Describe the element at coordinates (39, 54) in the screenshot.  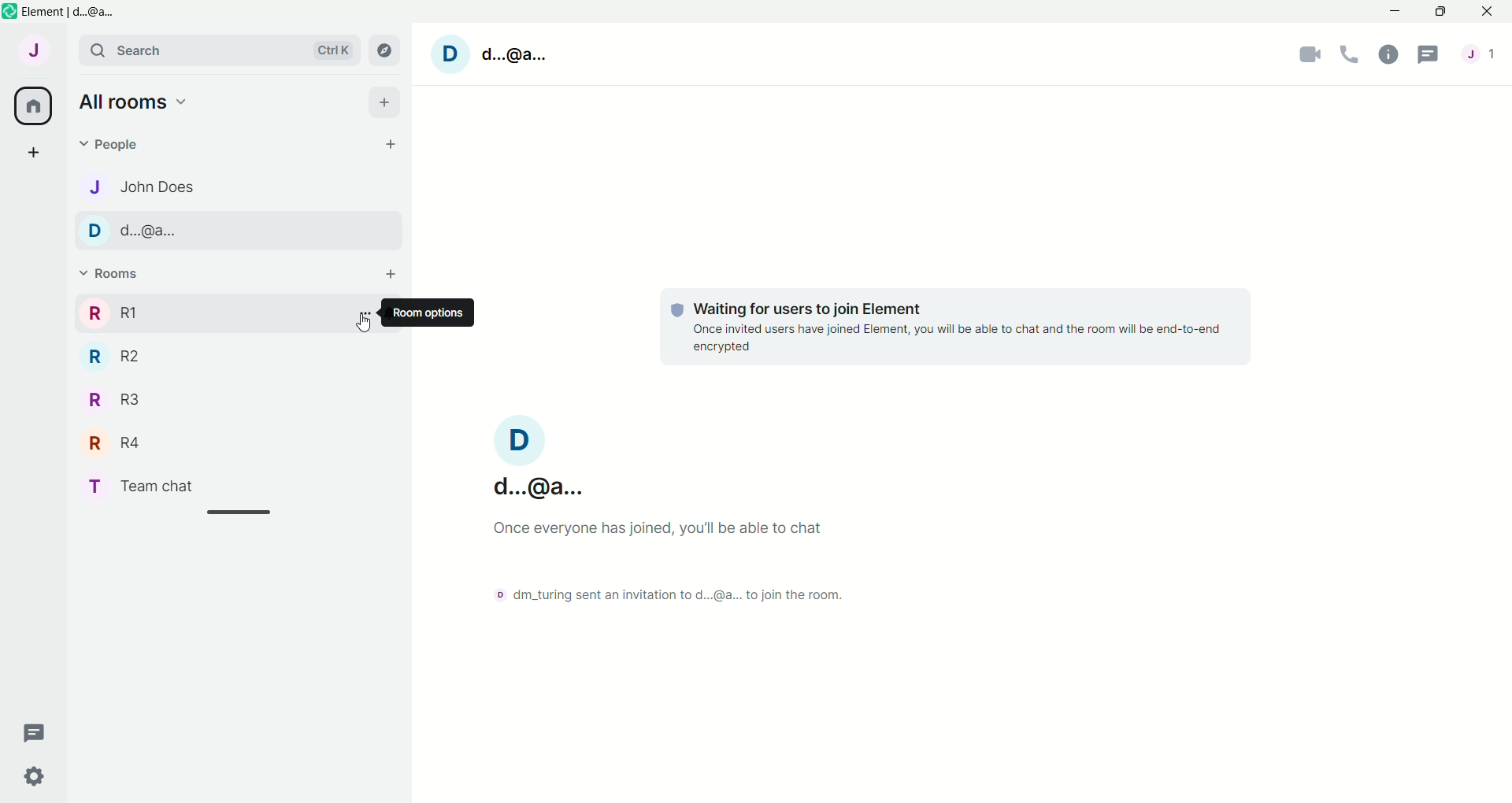
I see `J` at that location.